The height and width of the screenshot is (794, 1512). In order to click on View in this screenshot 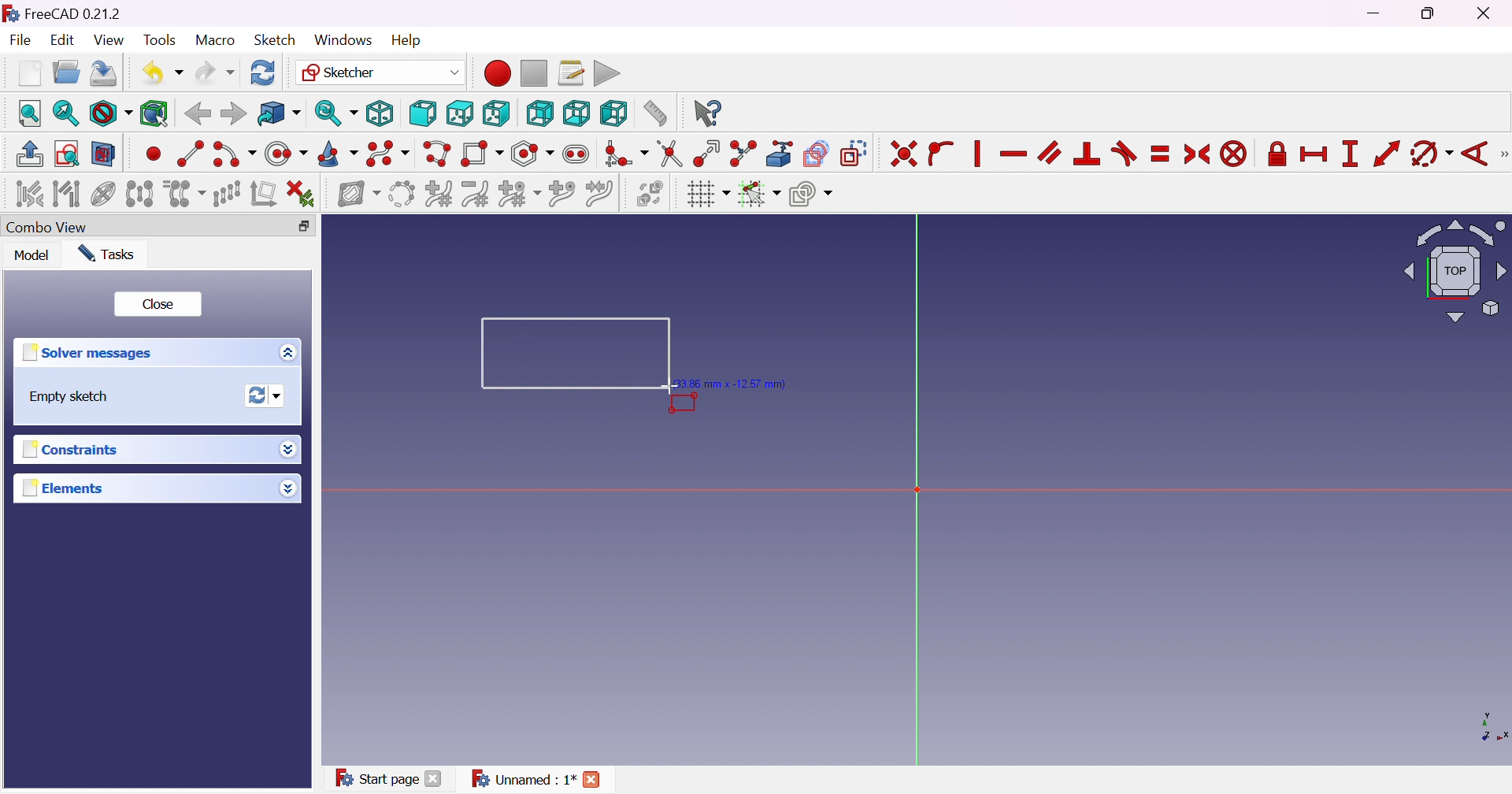, I will do `click(110, 40)`.